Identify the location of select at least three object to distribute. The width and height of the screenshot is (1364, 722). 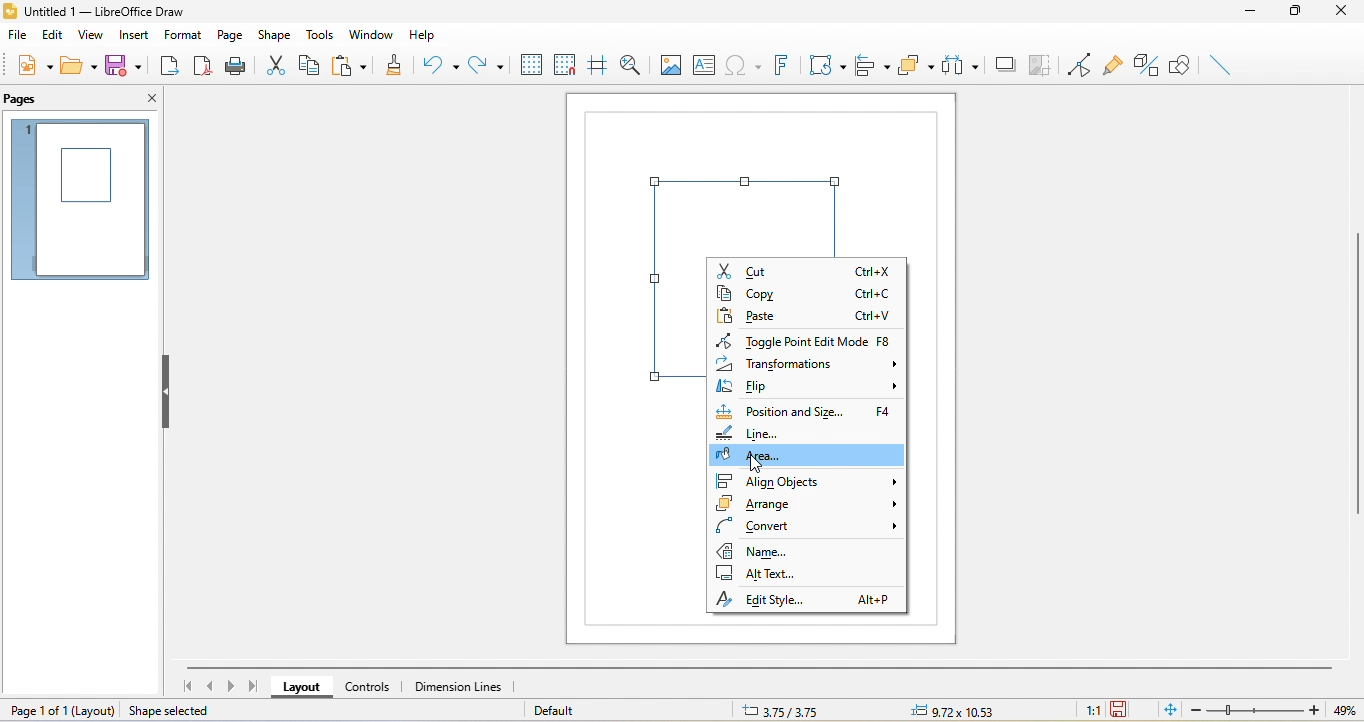
(962, 66).